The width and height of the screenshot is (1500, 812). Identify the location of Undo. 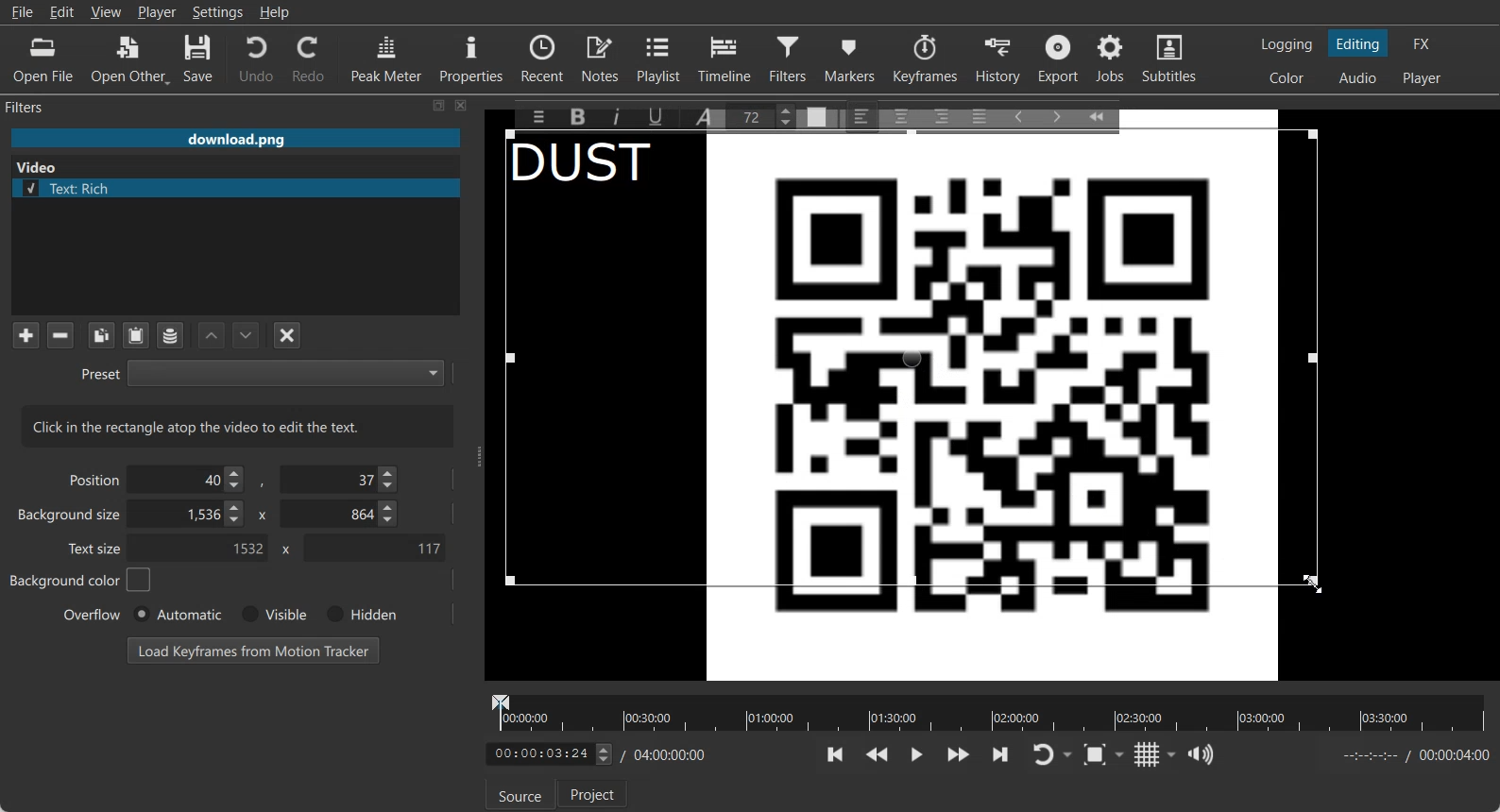
(256, 58).